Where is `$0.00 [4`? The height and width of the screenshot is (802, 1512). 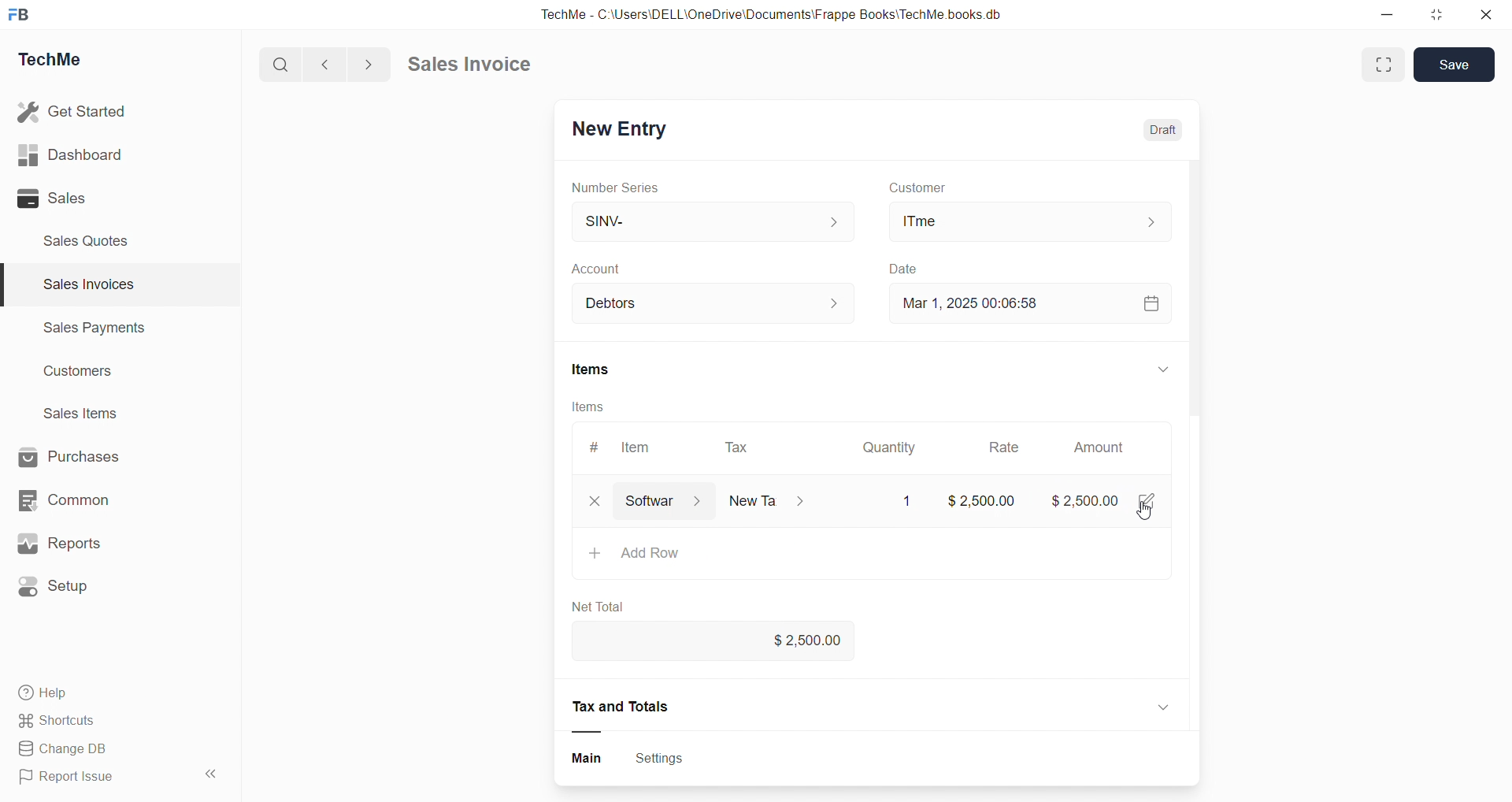
$0.00 [4 is located at coordinates (1109, 496).